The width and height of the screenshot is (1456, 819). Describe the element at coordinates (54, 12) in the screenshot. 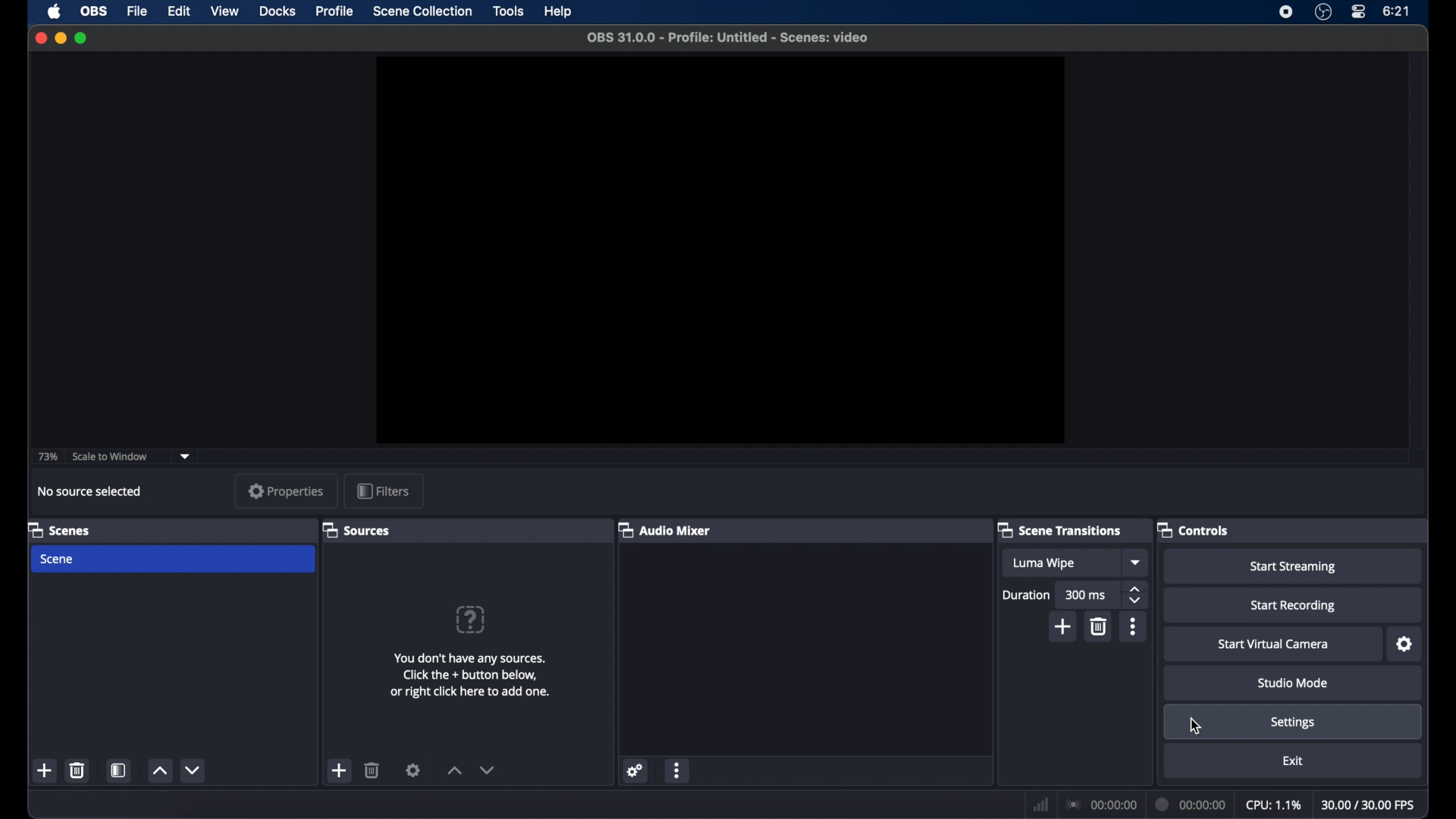

I see `apple icon` at that location.